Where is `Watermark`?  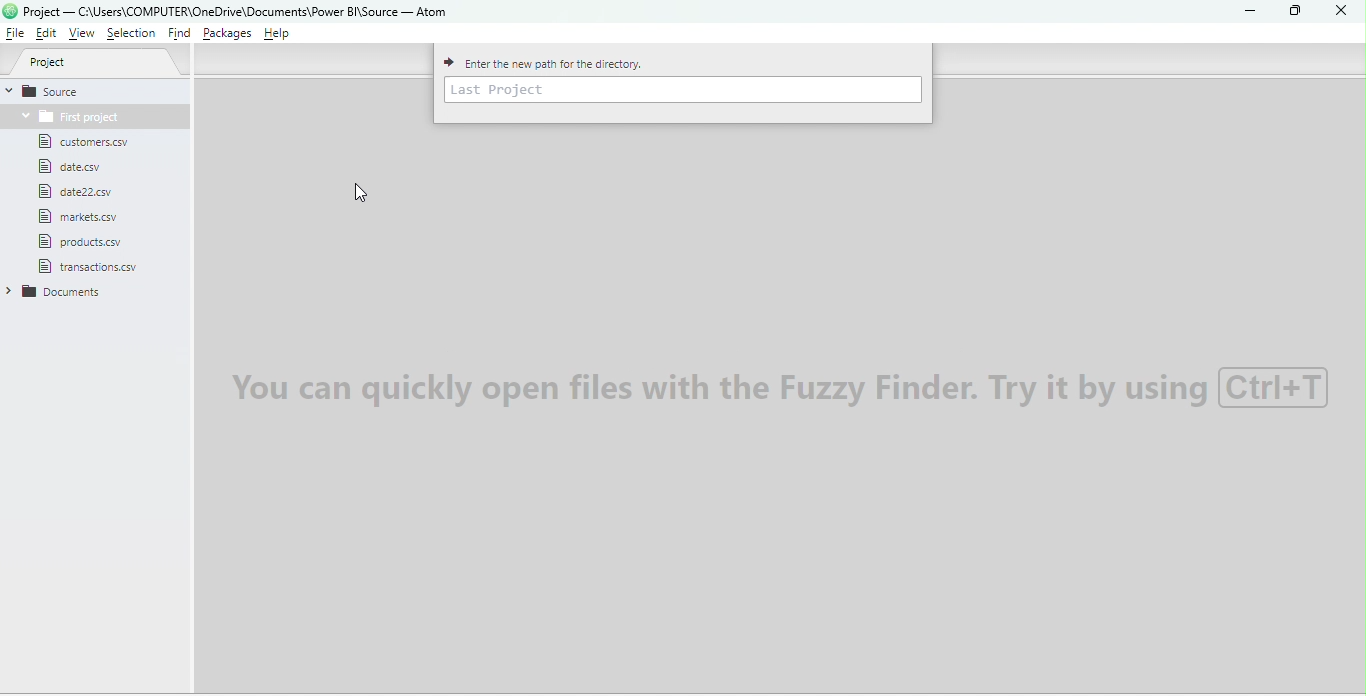
Watermark is located at coordinates (779, 401).